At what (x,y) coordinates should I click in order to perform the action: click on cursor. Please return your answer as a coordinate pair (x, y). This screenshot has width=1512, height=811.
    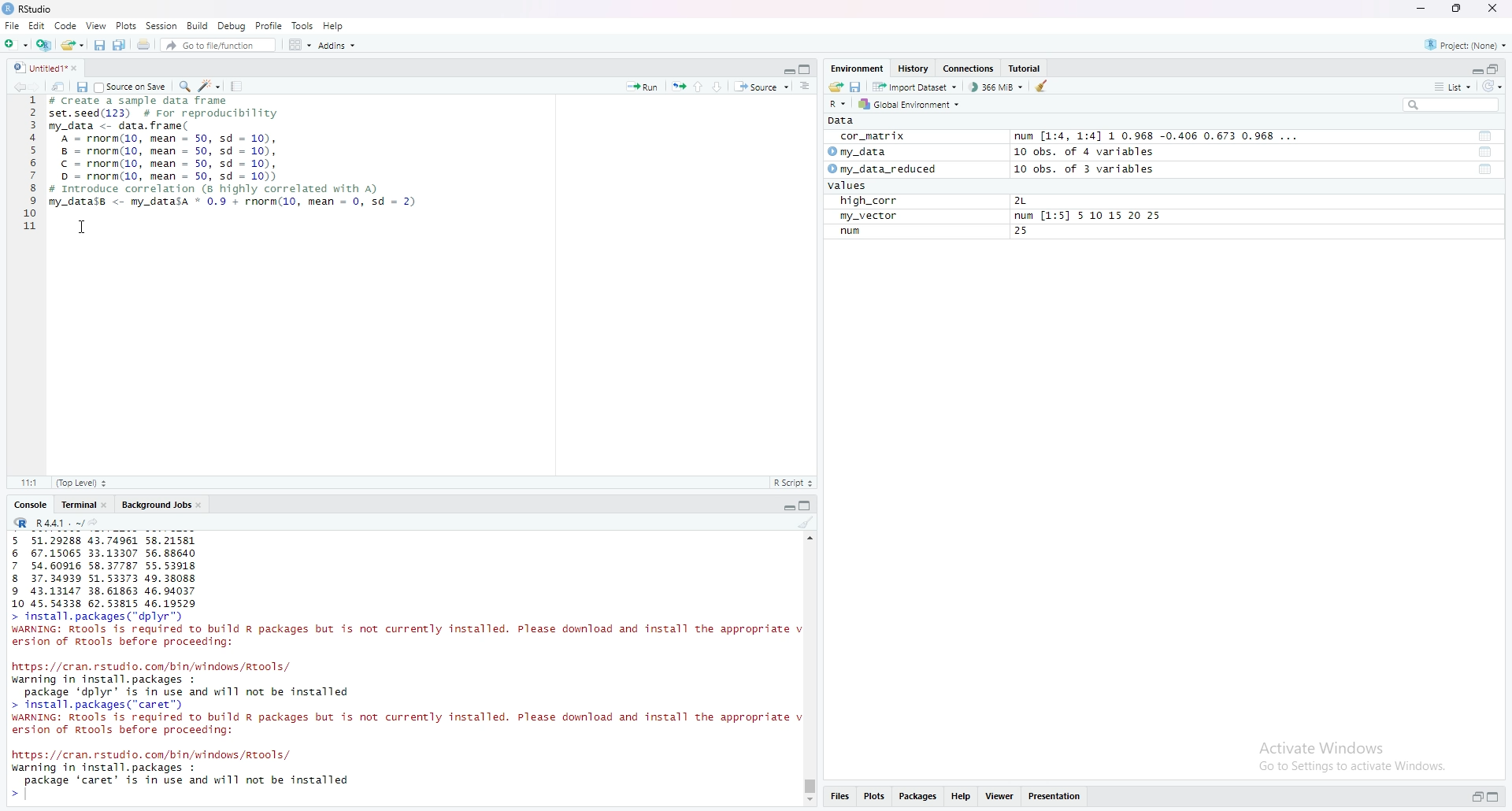
    Looking at the image, I should click on (82, 227).